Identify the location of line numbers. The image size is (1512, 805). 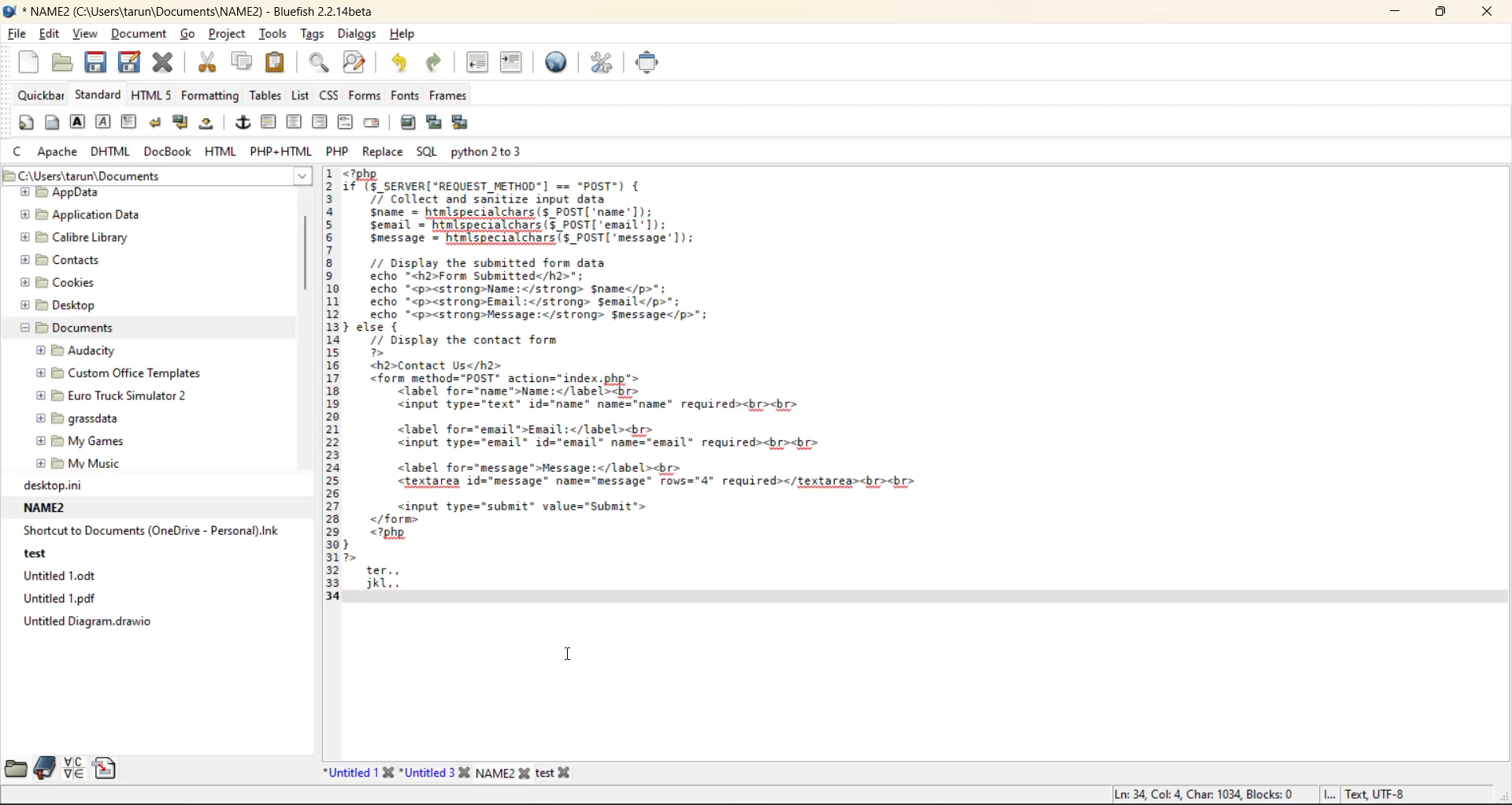
(332, 388).